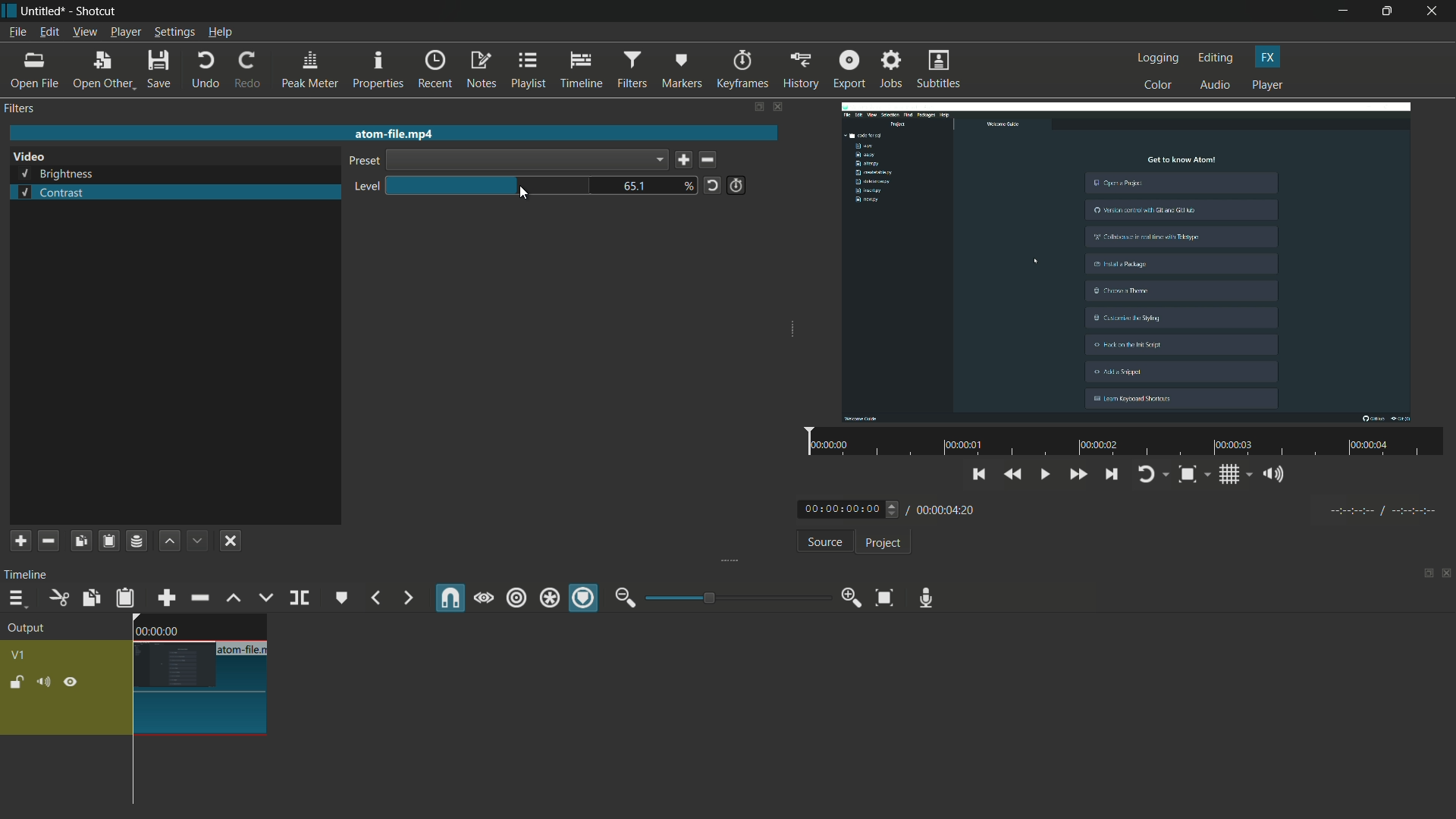  I want to click on close panel, so click(1447, 575).